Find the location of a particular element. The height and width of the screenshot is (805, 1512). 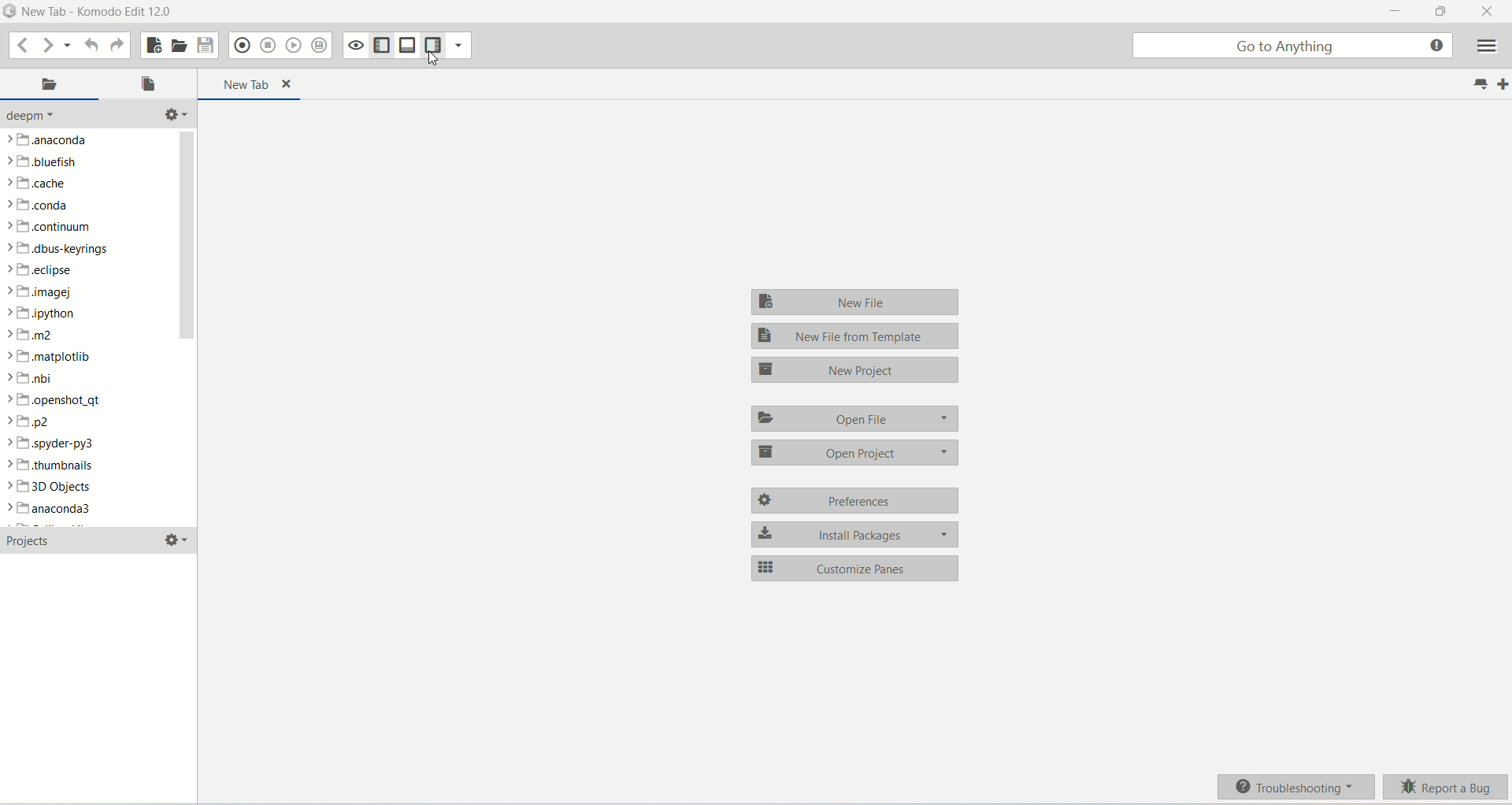

go forward one location is located at coordinates (46, 46).